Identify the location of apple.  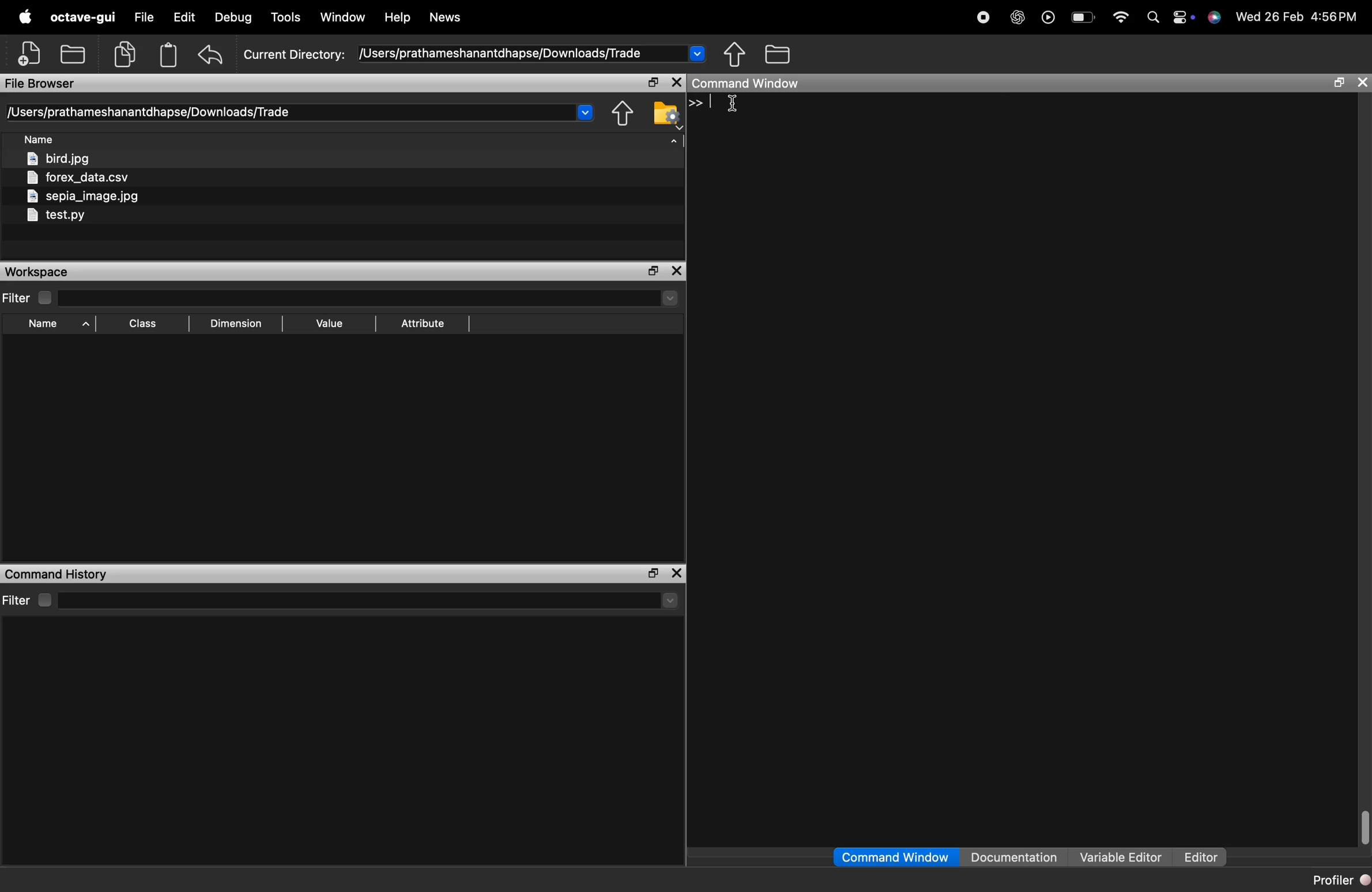
(25, 16).